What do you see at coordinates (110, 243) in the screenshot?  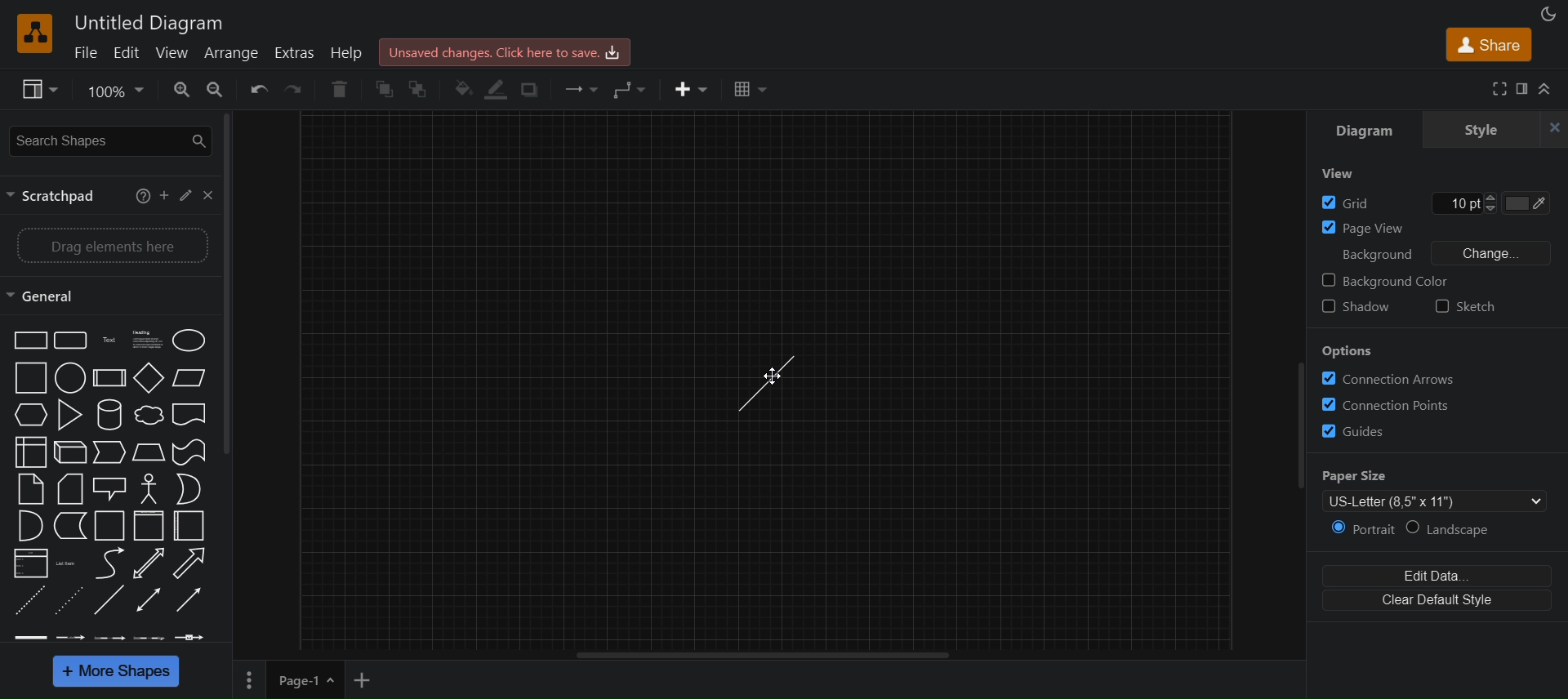 I see `drag elements here` at bounding box center [110, 243].